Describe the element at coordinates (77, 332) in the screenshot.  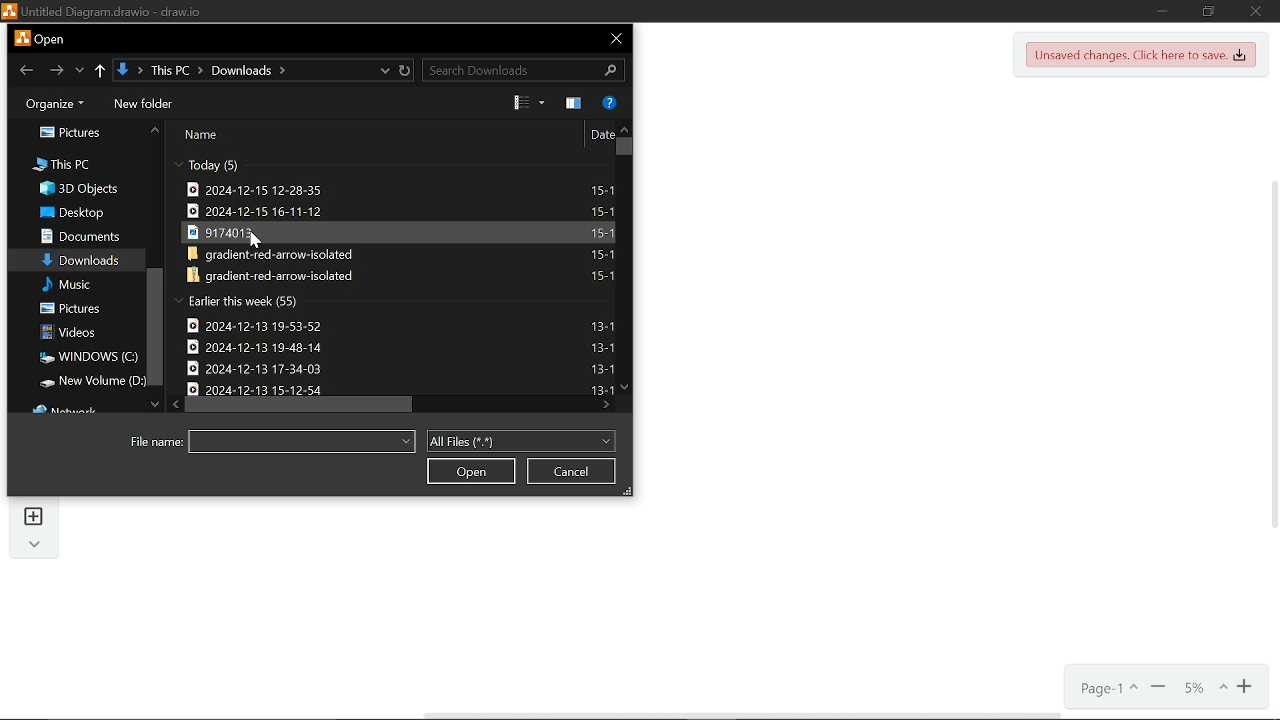
I see `videos` at that location.